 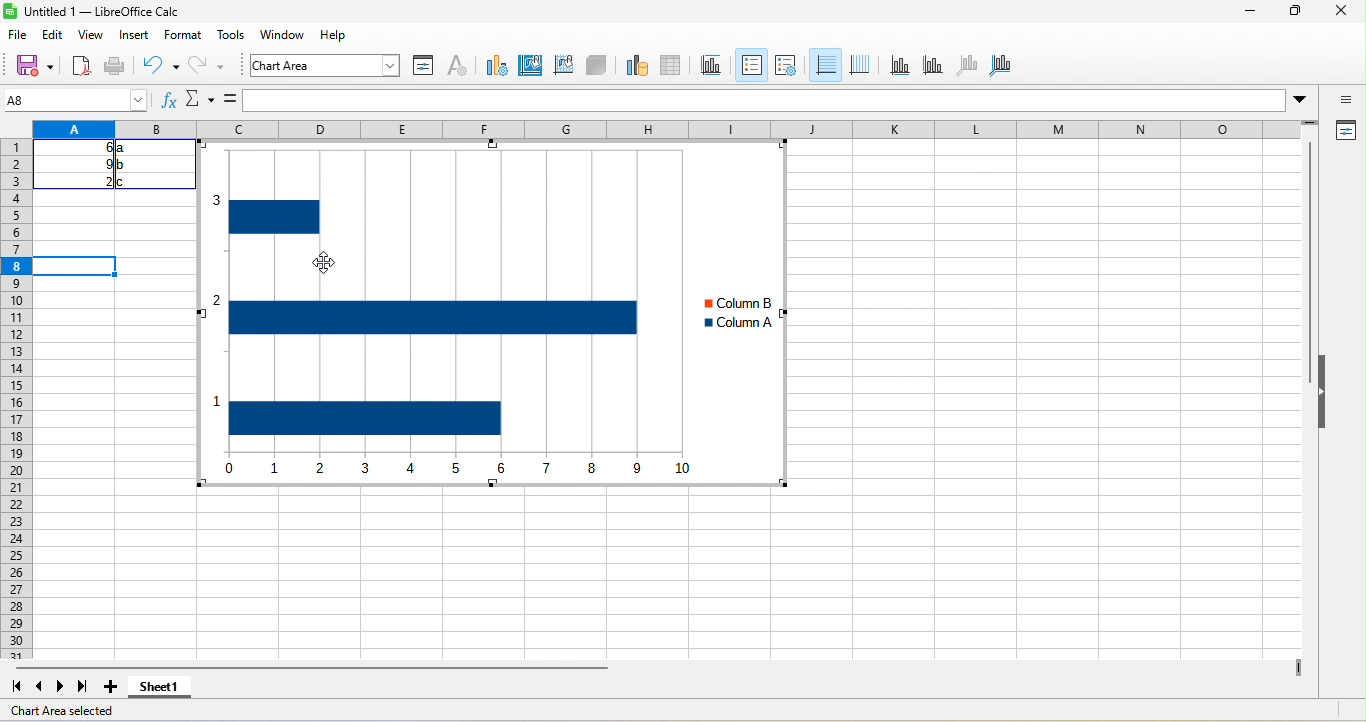 I want to click on Chart area selected, so click(x=62, y=710).